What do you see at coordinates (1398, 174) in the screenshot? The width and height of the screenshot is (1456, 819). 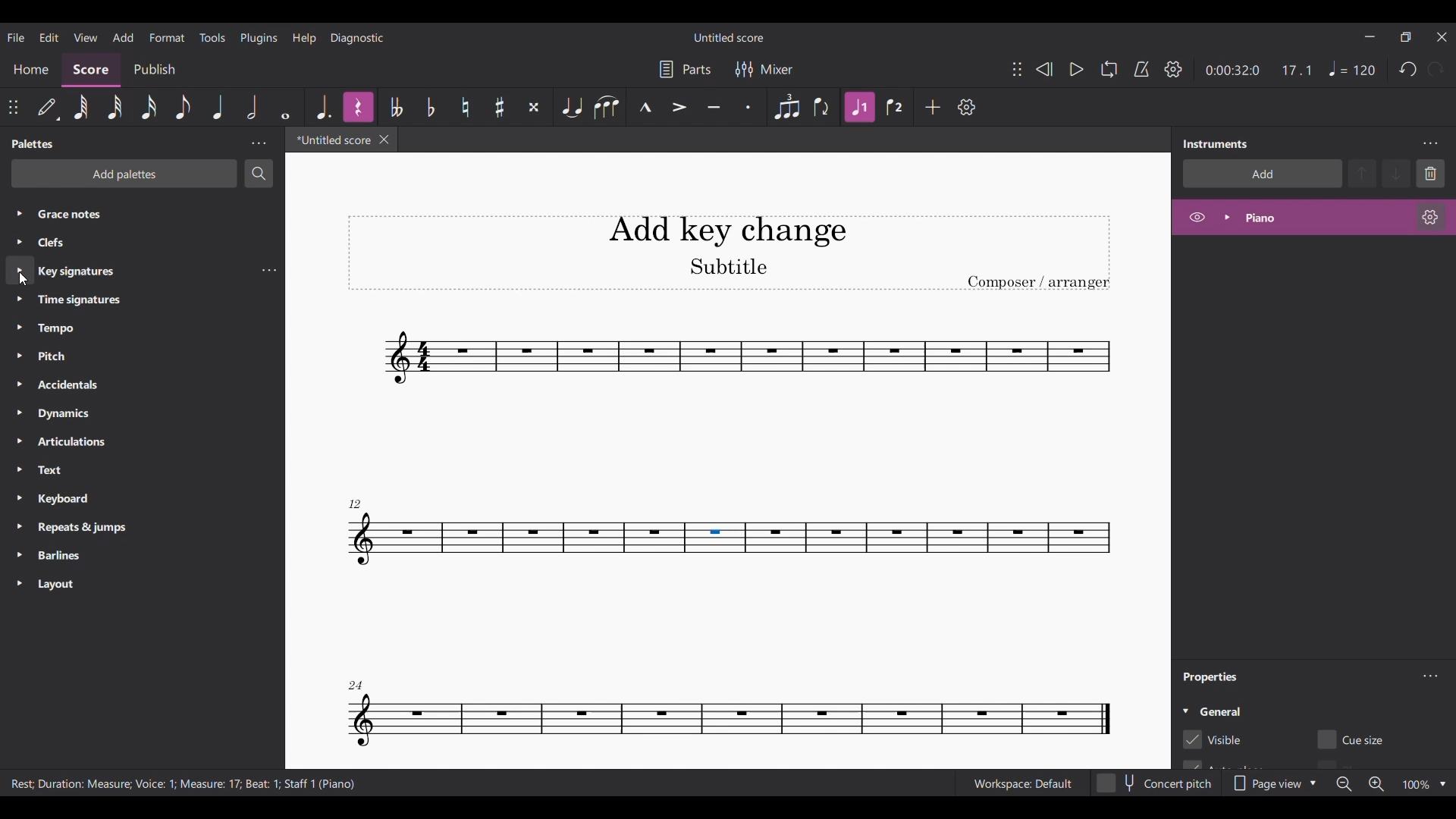 I see `Move down` at bounding box center [1398, 174].